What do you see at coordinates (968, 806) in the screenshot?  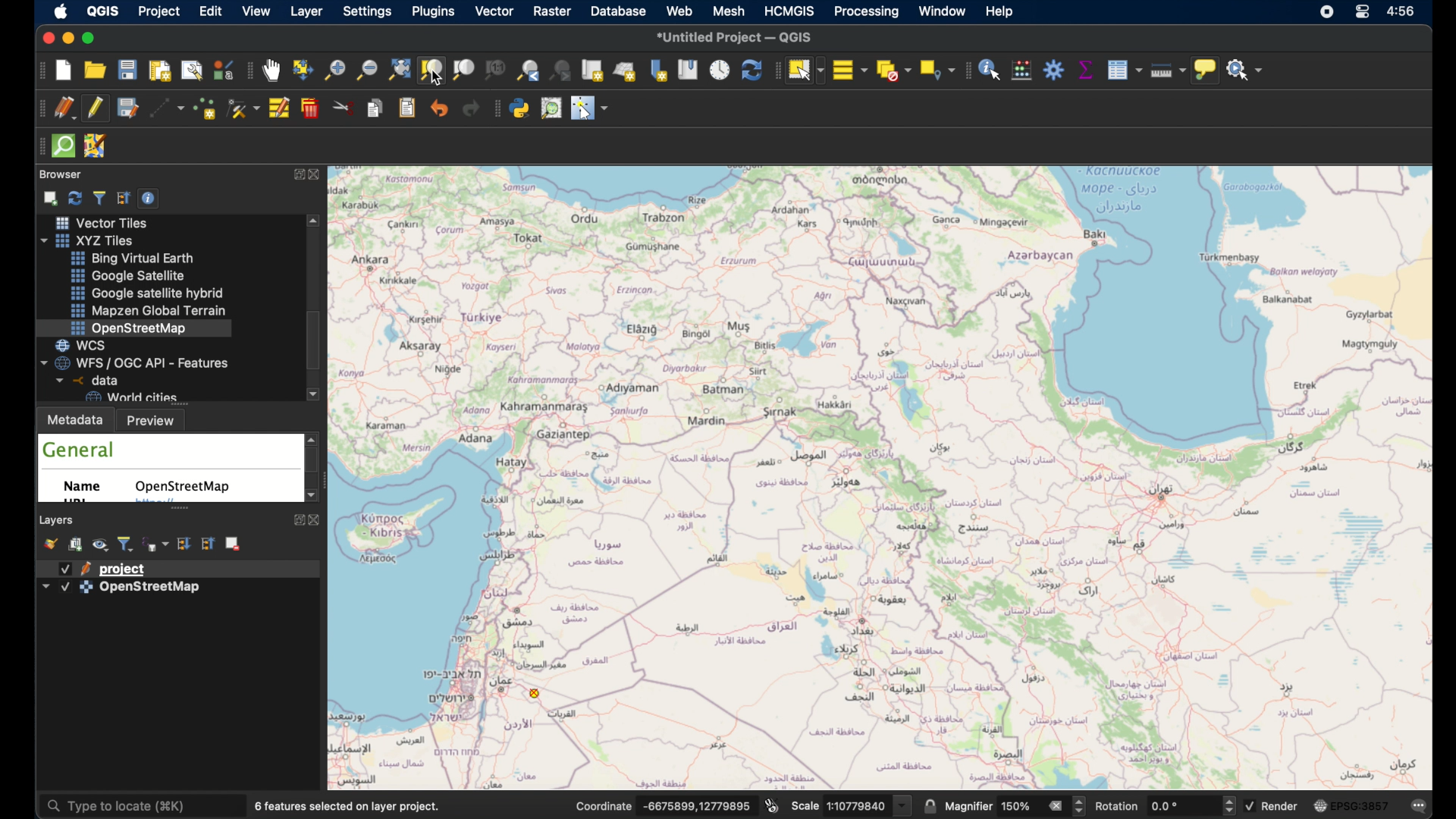 I see `magnifier` at bounding box center [968, 806].